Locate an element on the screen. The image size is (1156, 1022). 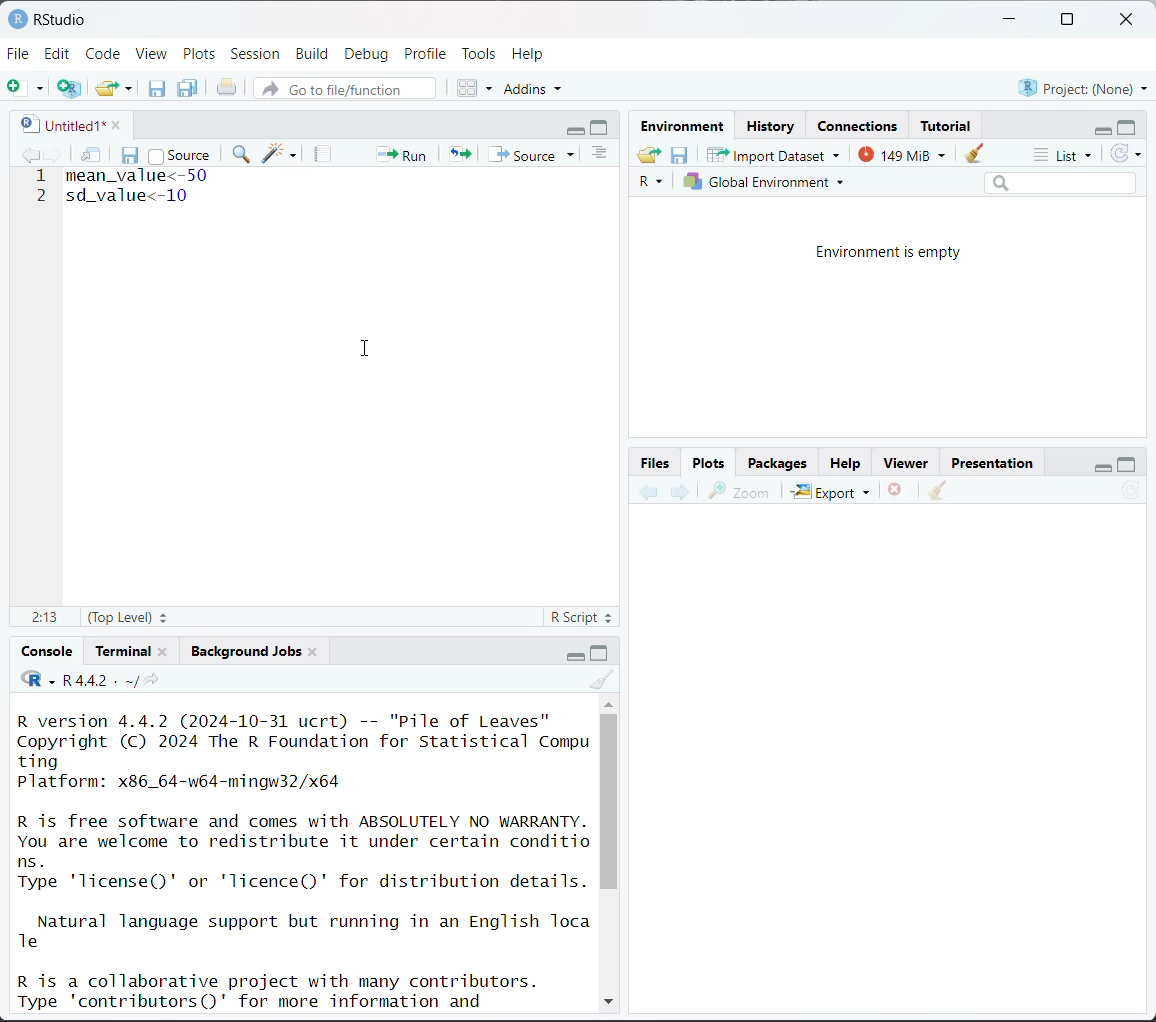
Debug is located at coordinates (366, 54).